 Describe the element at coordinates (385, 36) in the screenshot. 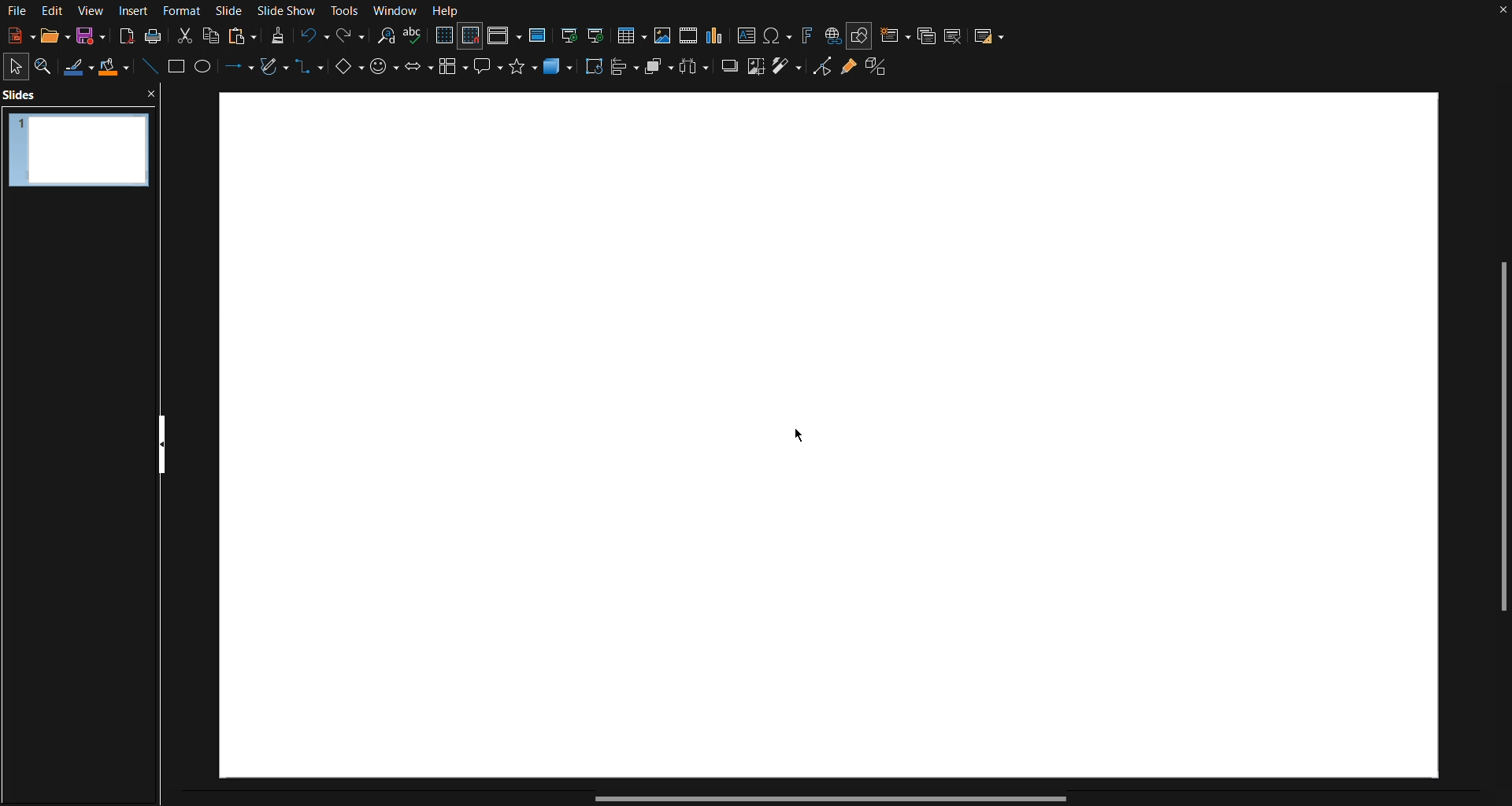

I see `Search and Replace` at that location.